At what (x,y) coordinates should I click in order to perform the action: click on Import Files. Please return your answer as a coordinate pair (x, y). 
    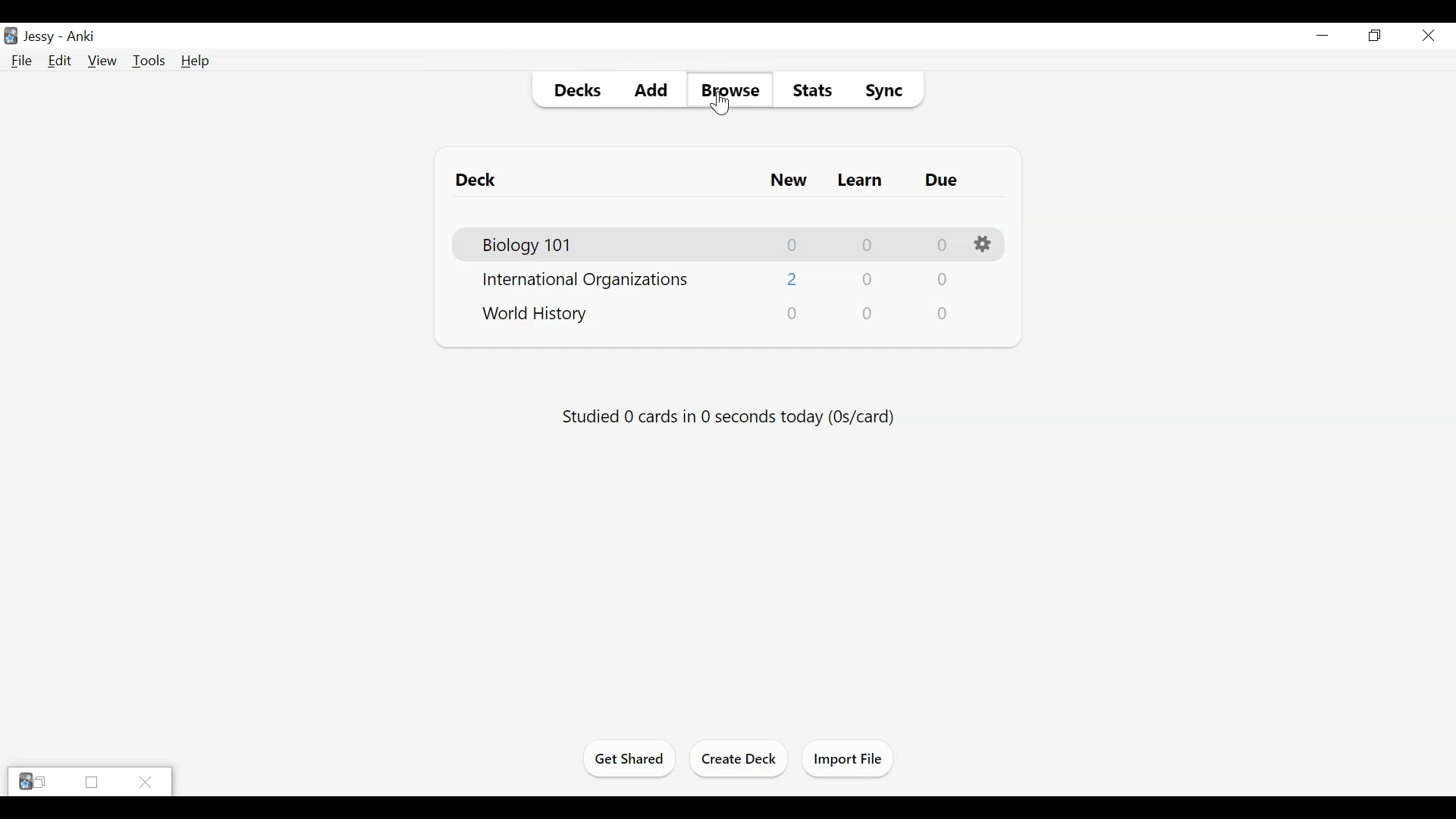
    Looking at the image, I should click on (848, 760).